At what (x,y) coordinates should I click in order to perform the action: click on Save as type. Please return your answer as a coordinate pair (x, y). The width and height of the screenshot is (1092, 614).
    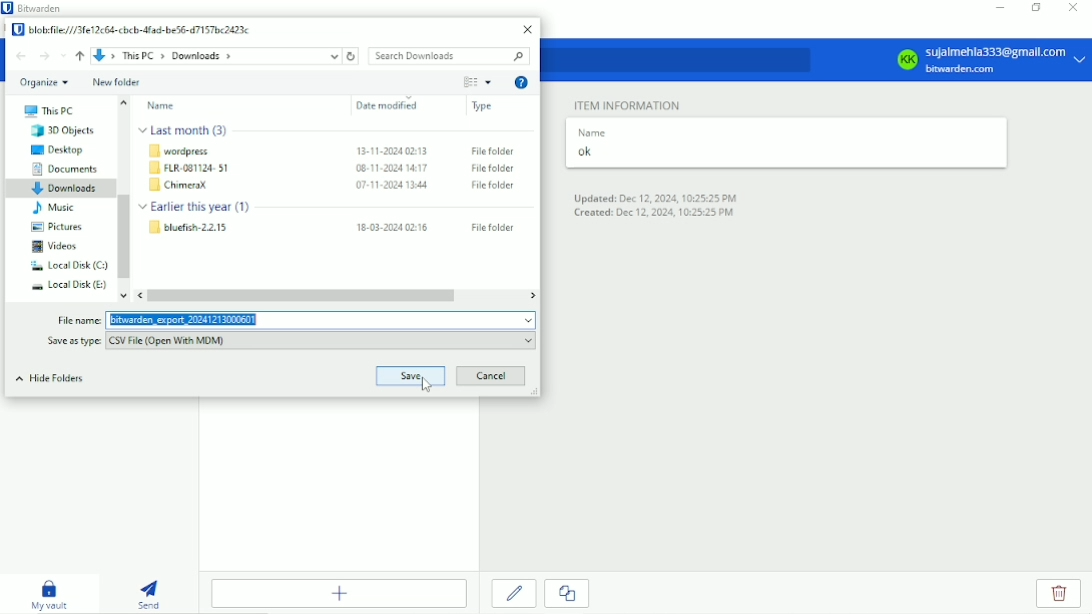
    Looking at the image, I should click on (69, 341).